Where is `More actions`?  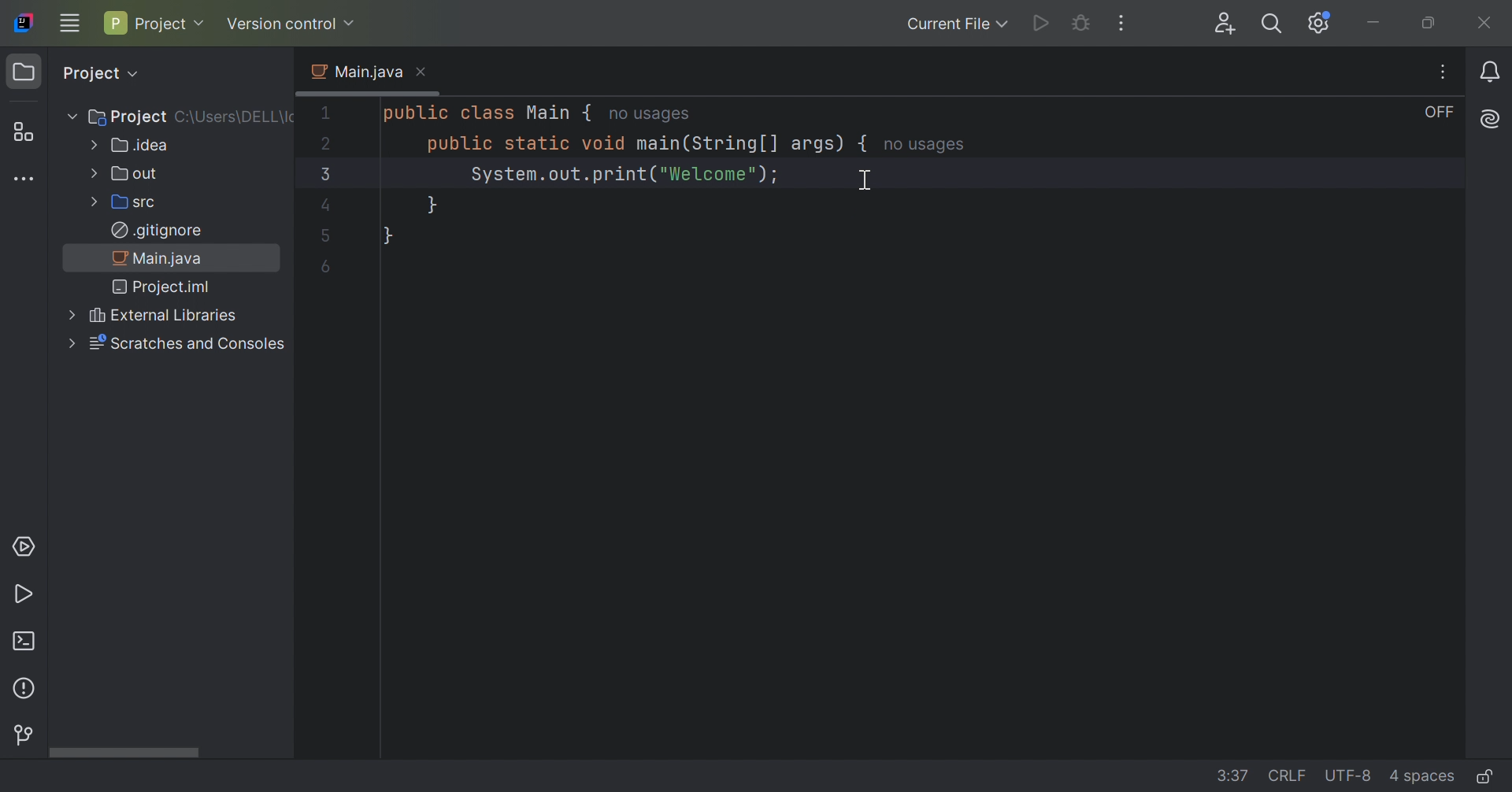
More actions is located at coordinates (1119, 24).